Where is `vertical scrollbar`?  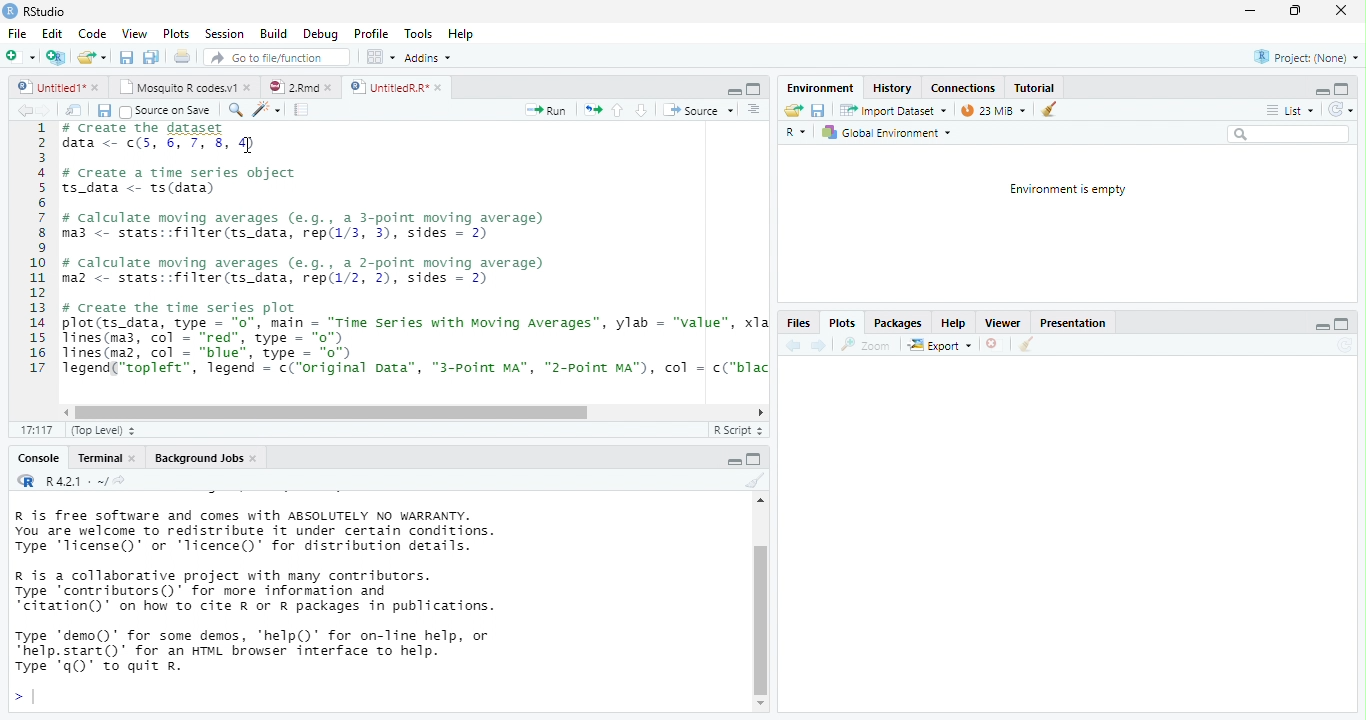 vertical scrollbar is located at coordinates (761, 619).